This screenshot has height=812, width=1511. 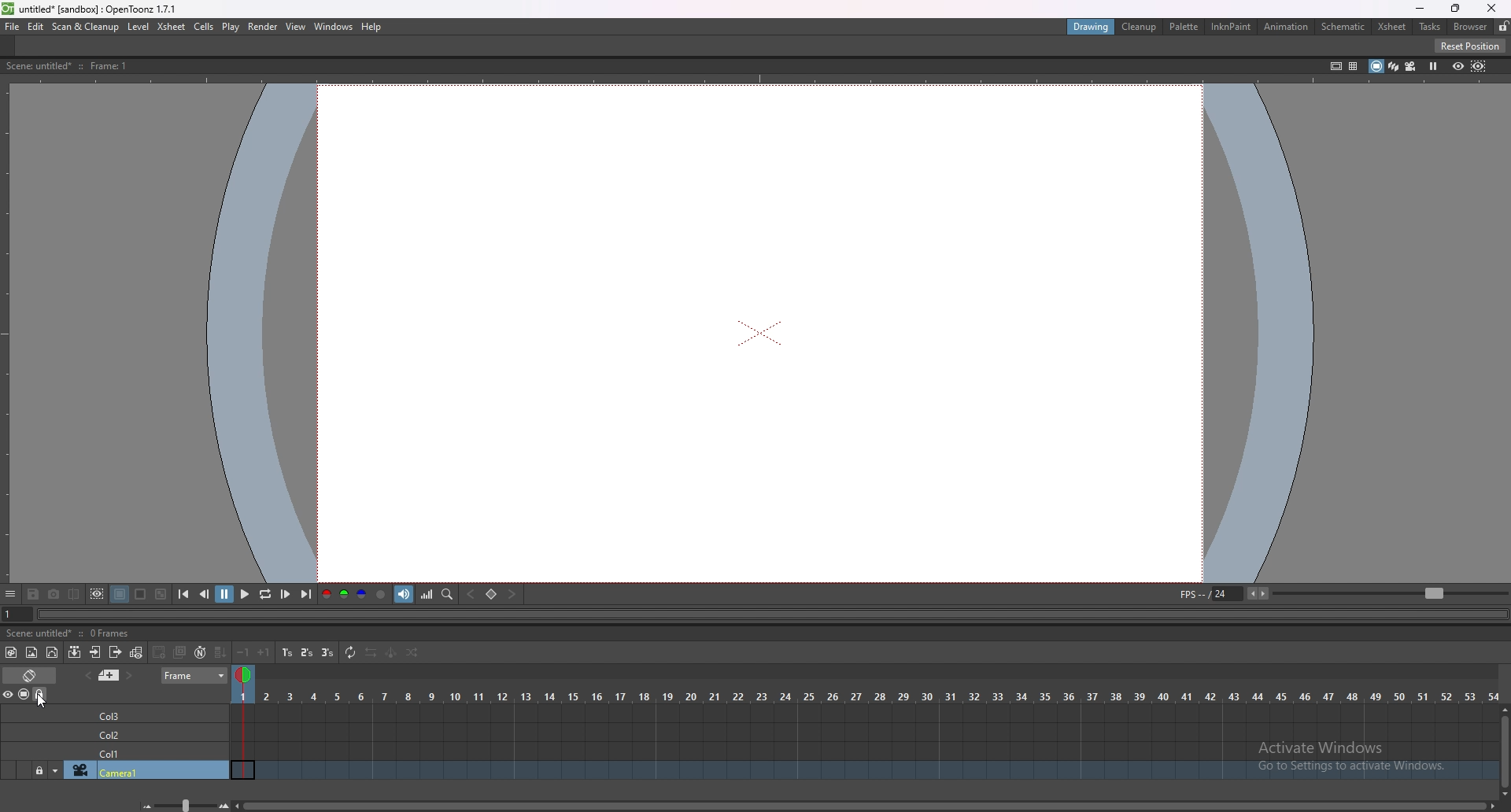 What do you see at coordinates (88, 675) in the screenshot?
I see `previous memo` at bounding box center [88, 675].